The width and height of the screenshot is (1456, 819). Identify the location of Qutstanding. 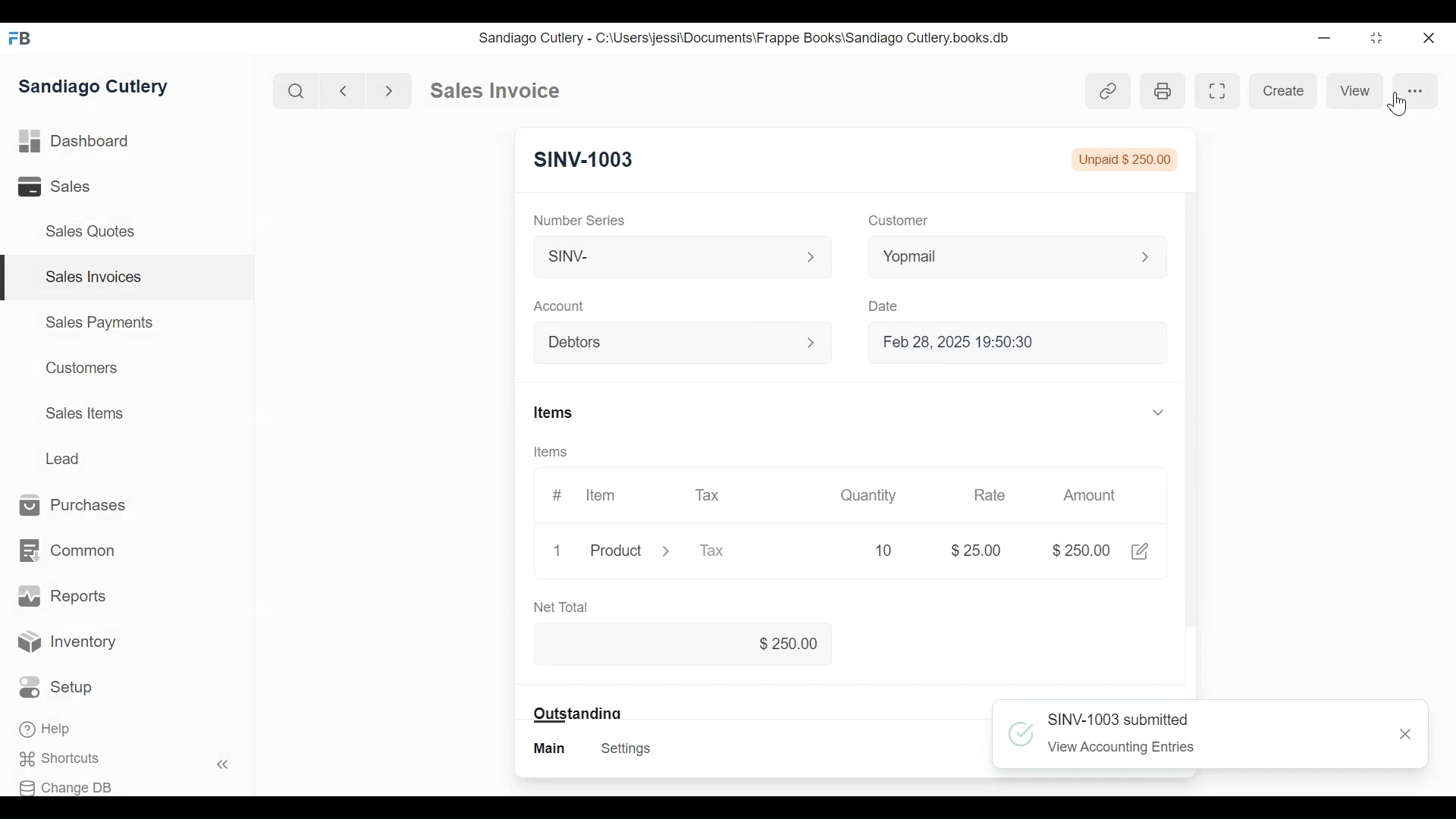
(578, 713).